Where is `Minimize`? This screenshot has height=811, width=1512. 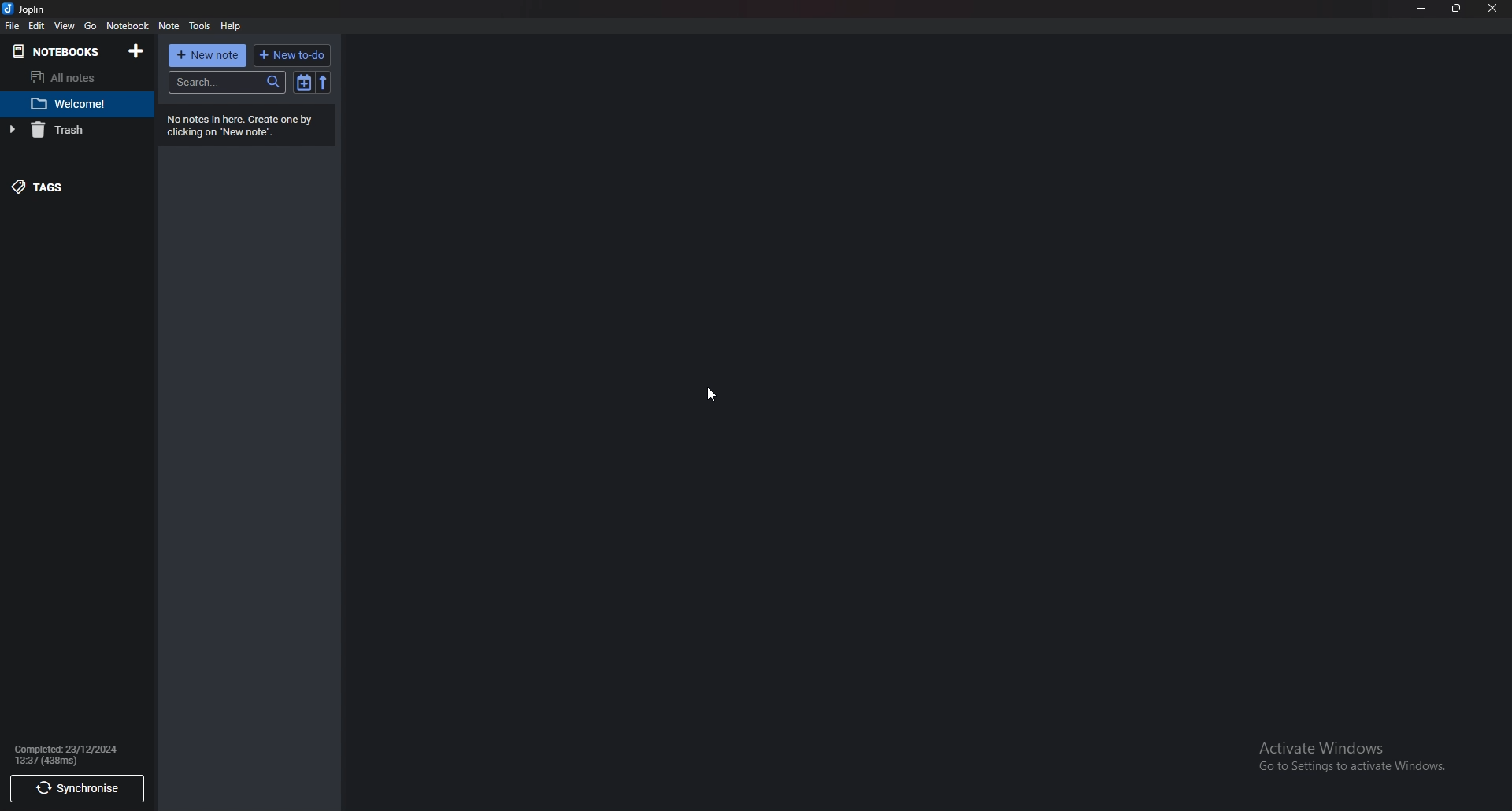 Minimize is located at coordinates (1423, 8).